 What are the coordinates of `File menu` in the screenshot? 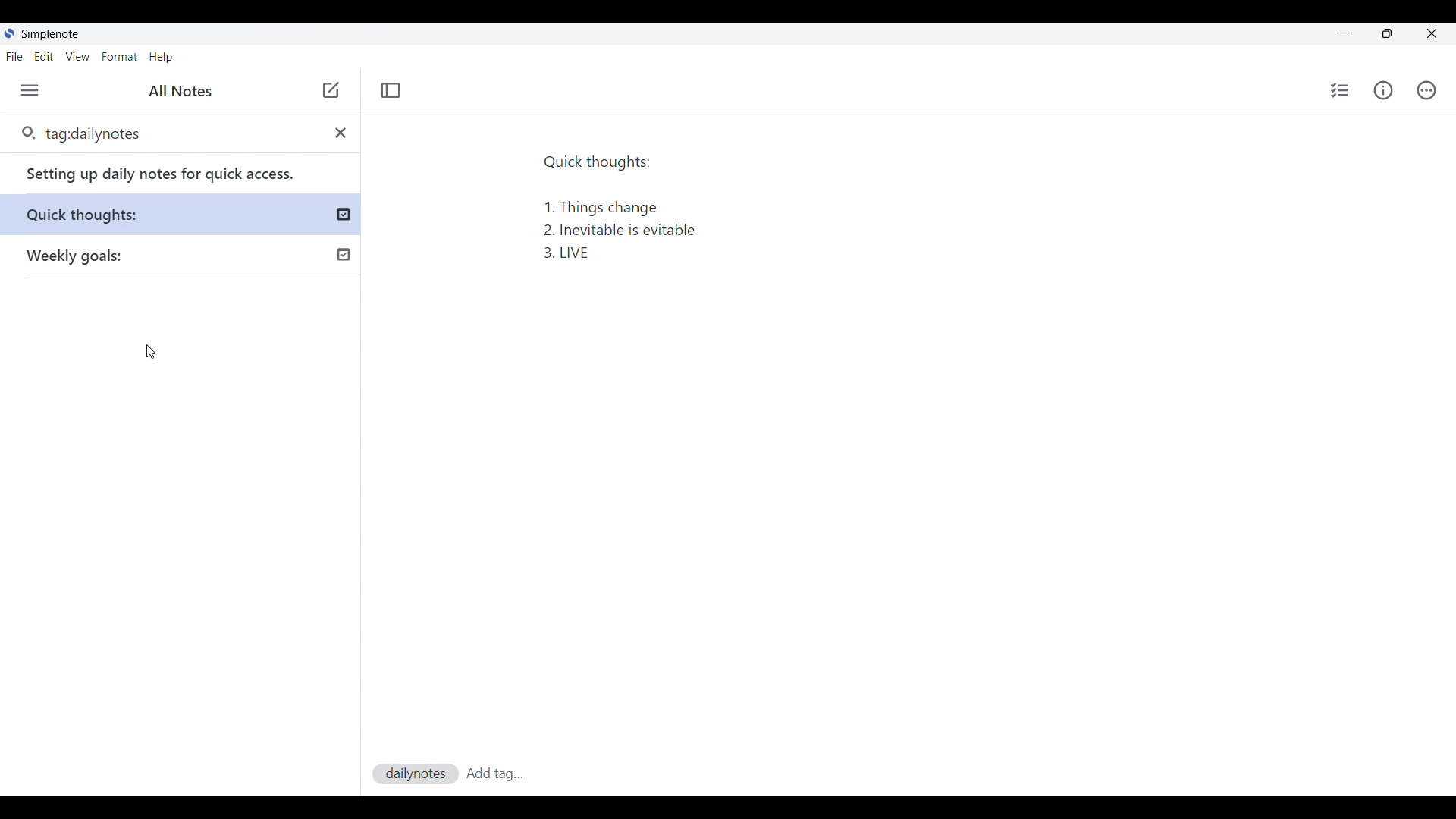 It's located at (14, 57).